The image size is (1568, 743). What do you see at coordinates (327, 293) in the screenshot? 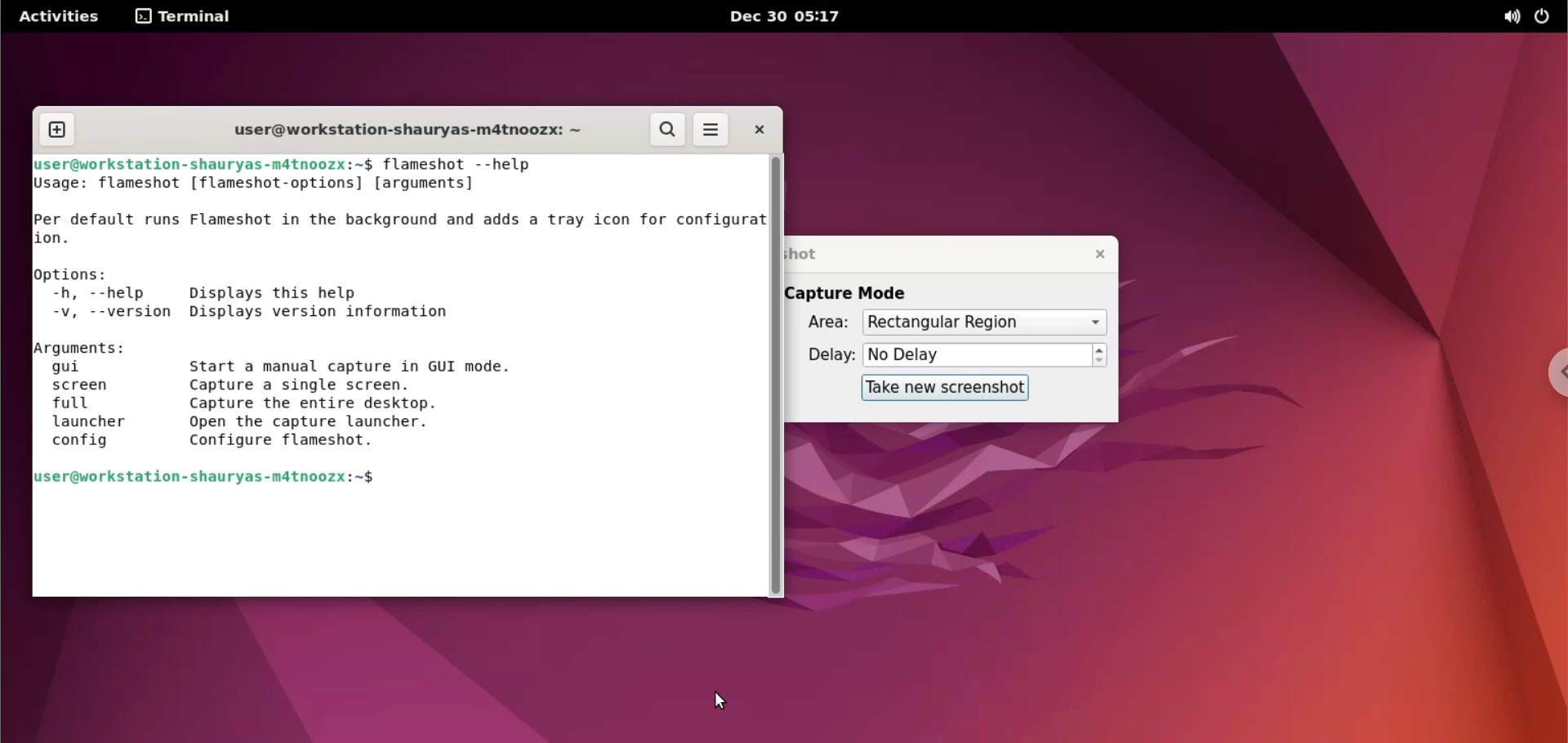
I see `displays this help` at bounding box center [327, 293].